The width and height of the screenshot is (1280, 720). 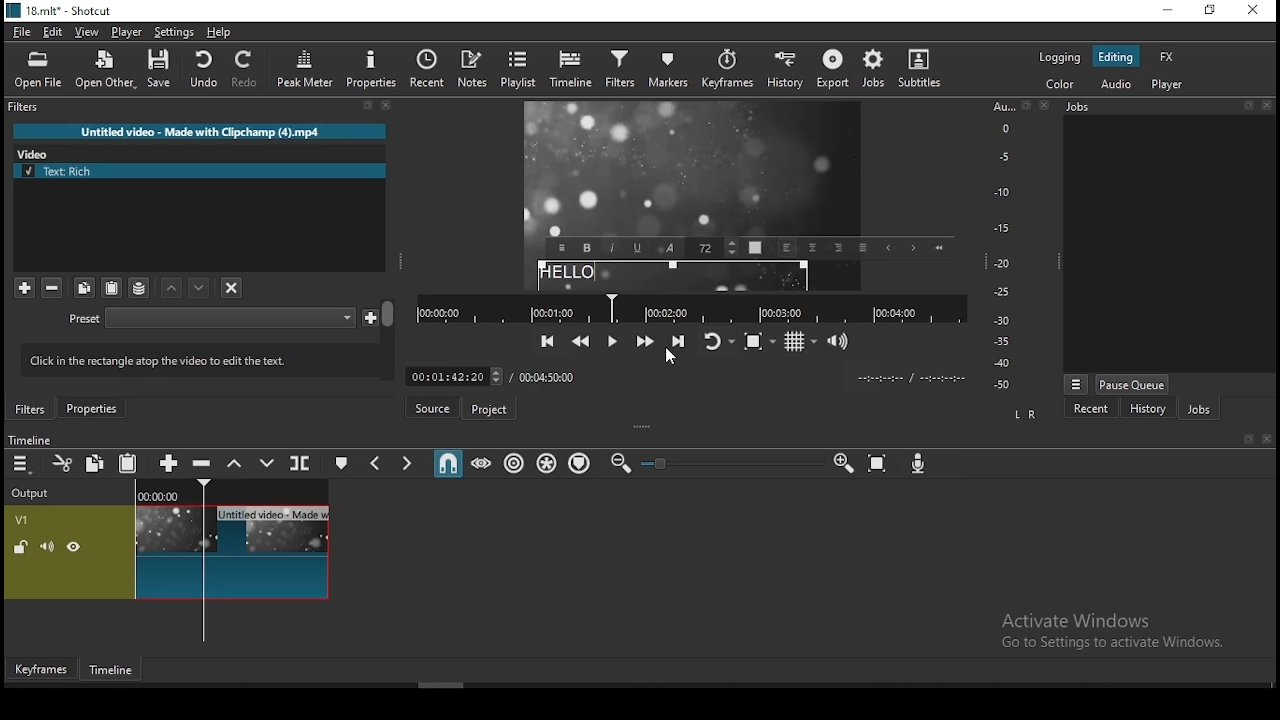 I want to click on skip to the previous point, so click(x=548, y=341).